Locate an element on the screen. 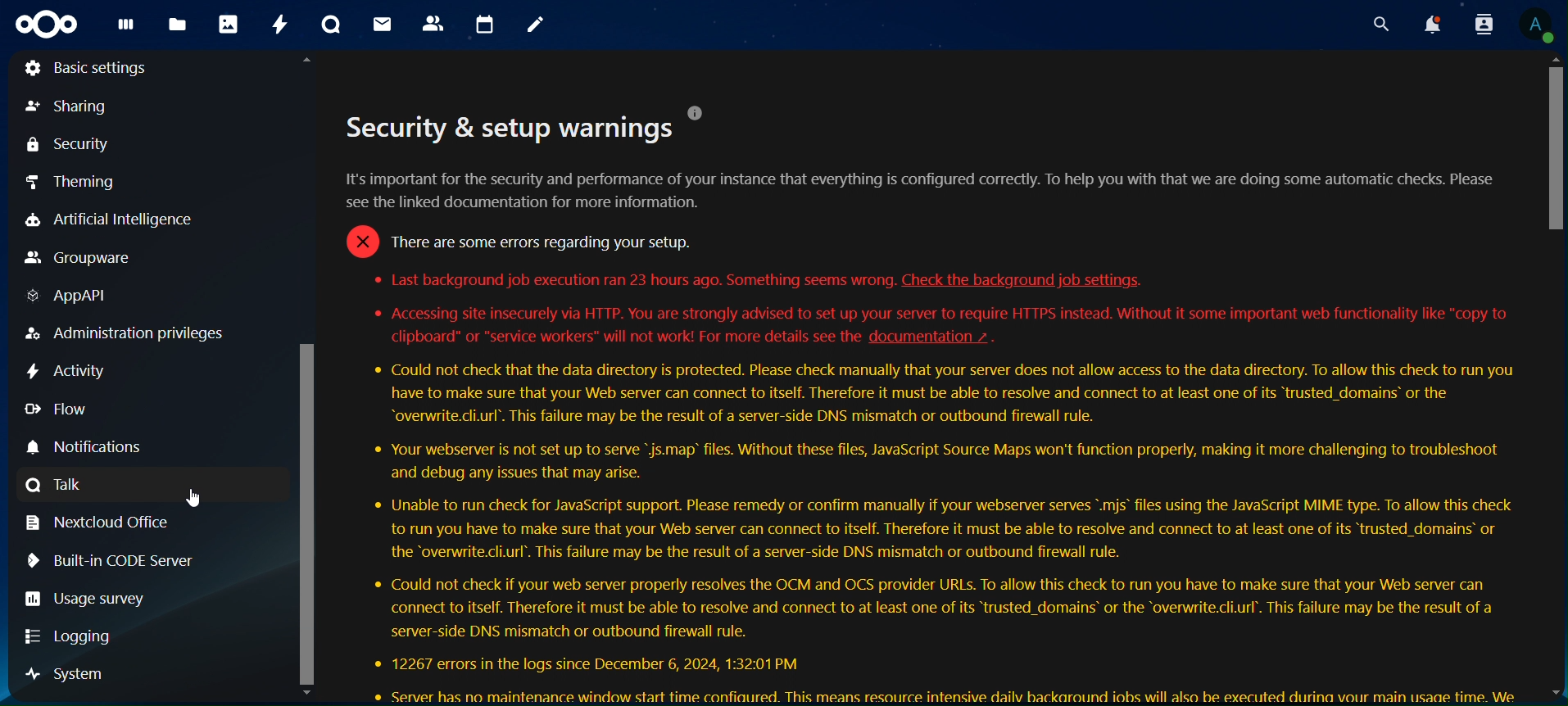  built in code server is located at coordinates (106, 559).